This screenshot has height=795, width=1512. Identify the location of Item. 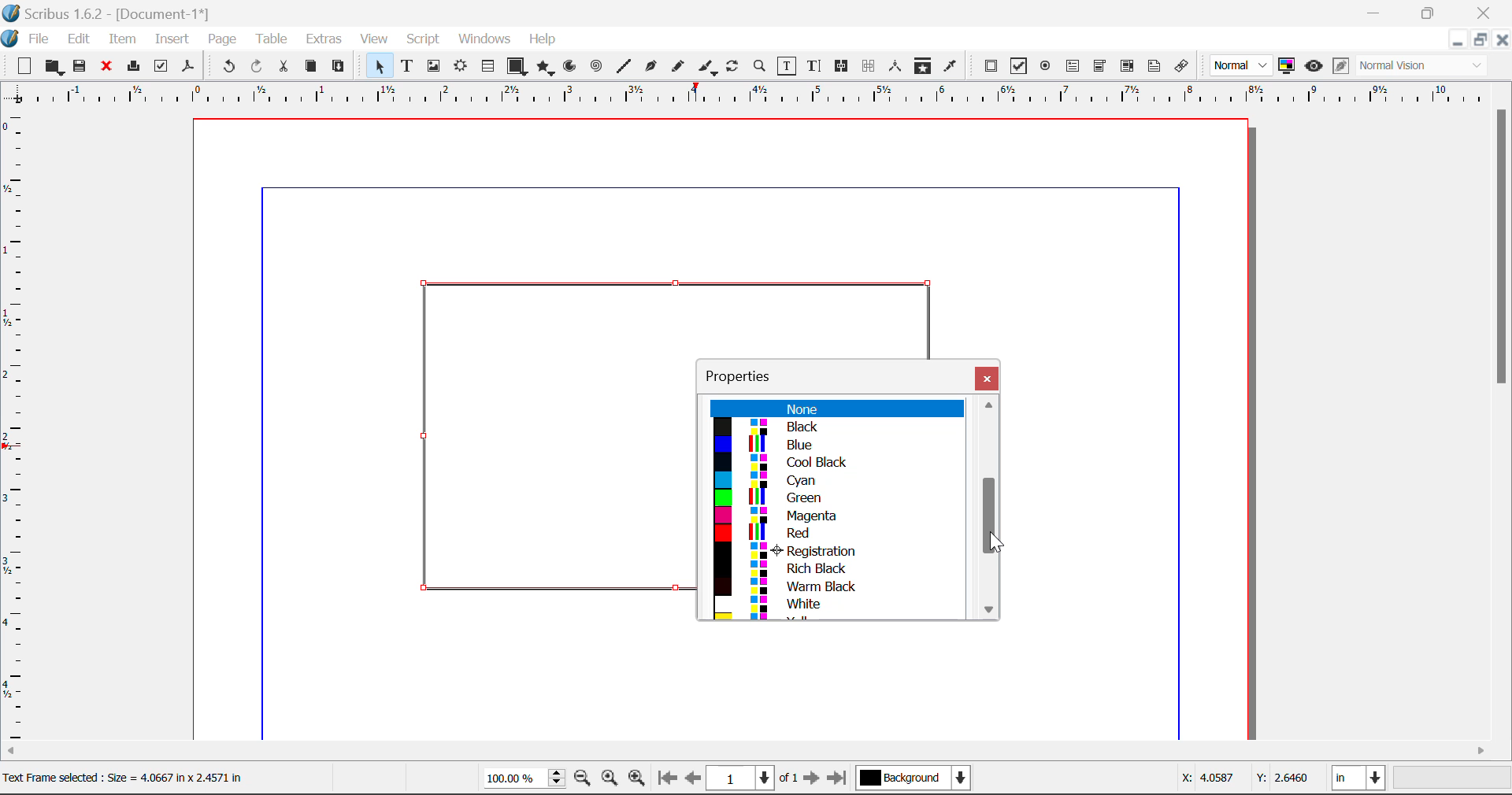
(120, 37).